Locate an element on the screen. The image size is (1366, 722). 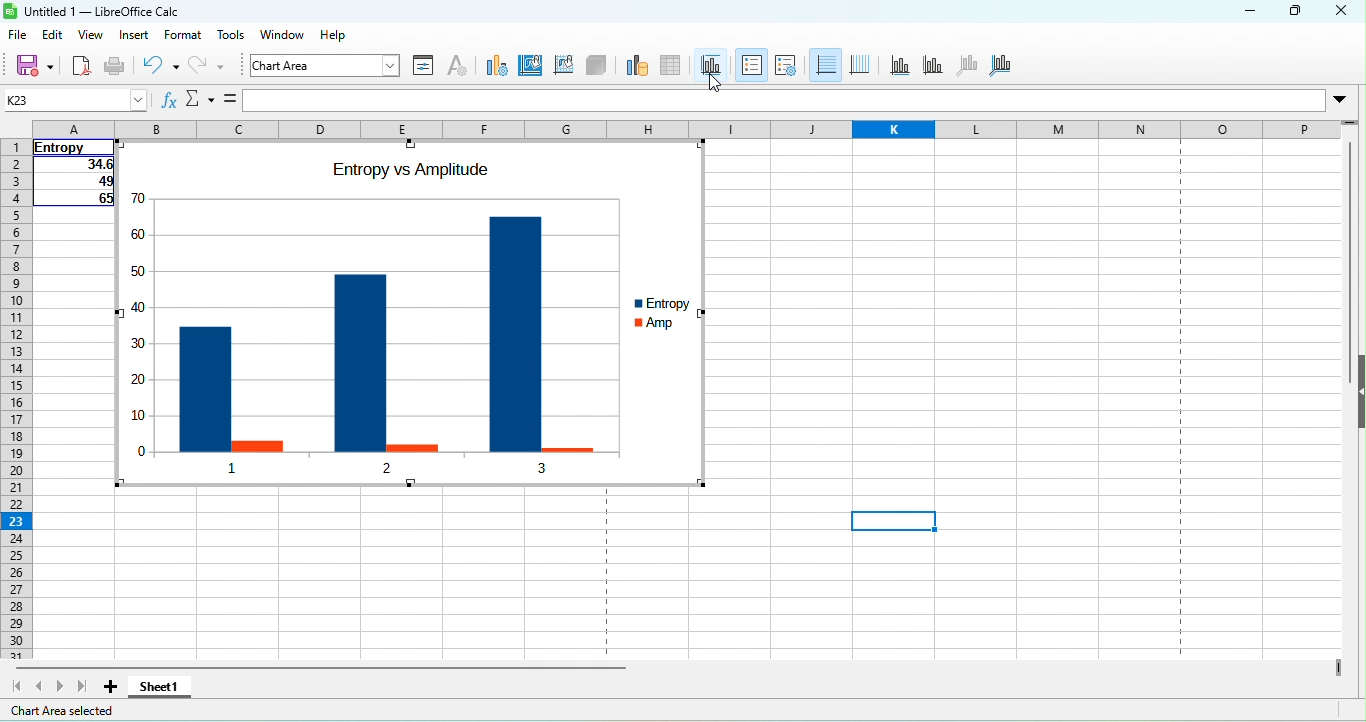
legend is located at coordinates (787, 66).